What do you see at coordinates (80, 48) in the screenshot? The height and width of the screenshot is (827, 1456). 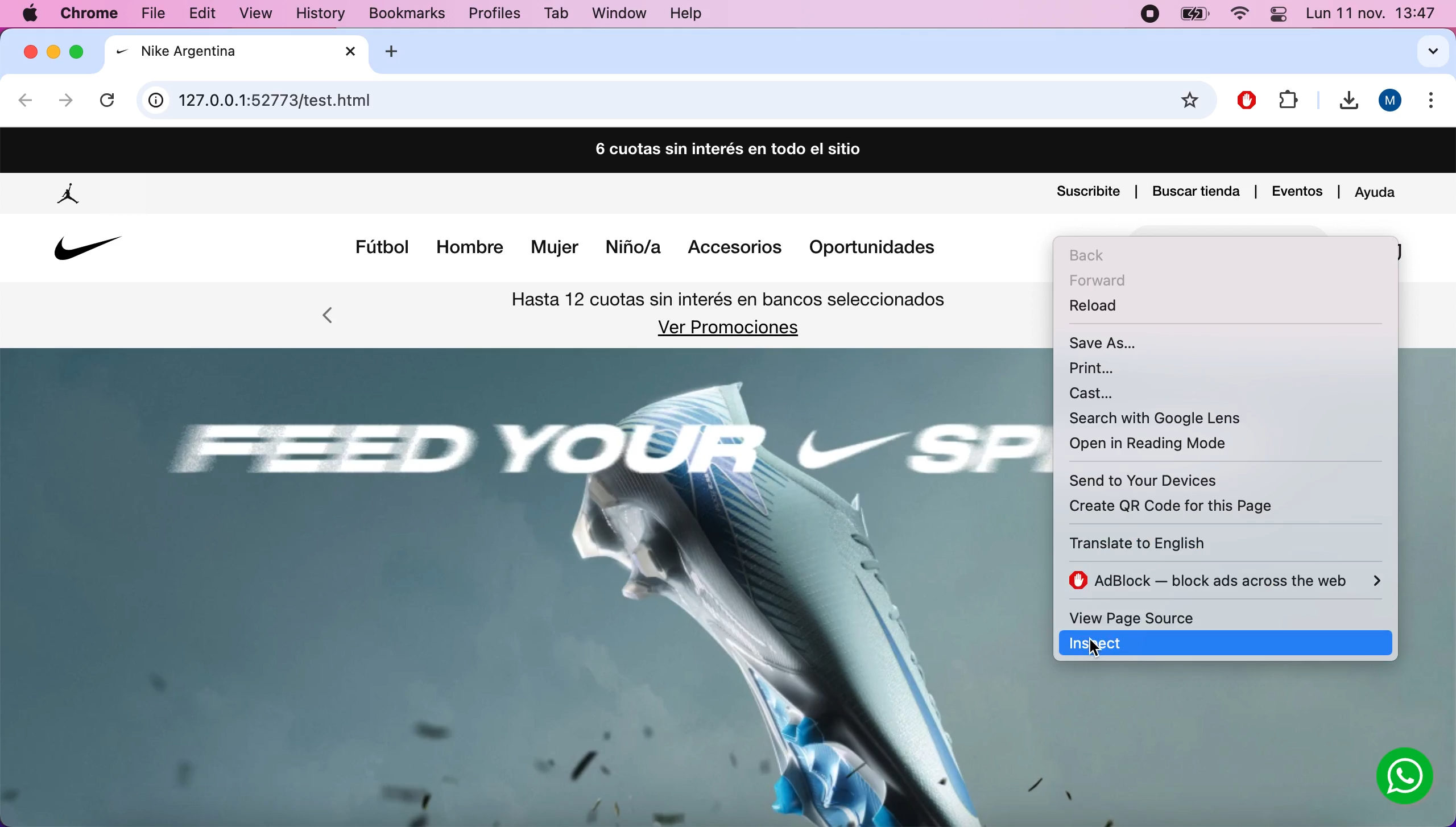 I see `mazimize` at bounding box center [80, 48].